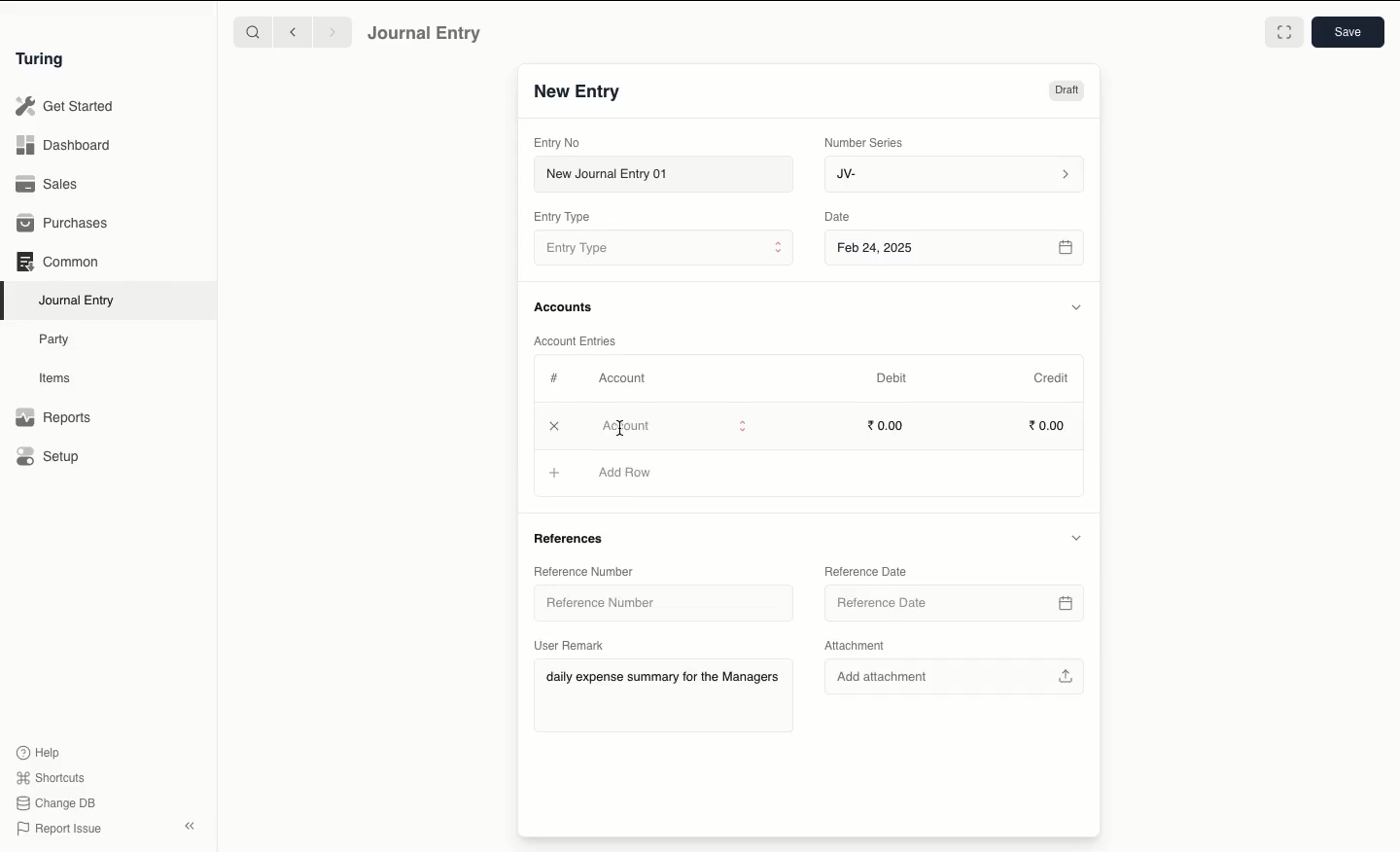  Describe the element at coordinates (572, 645) in the screenshot. I see `User Remark` at that location.